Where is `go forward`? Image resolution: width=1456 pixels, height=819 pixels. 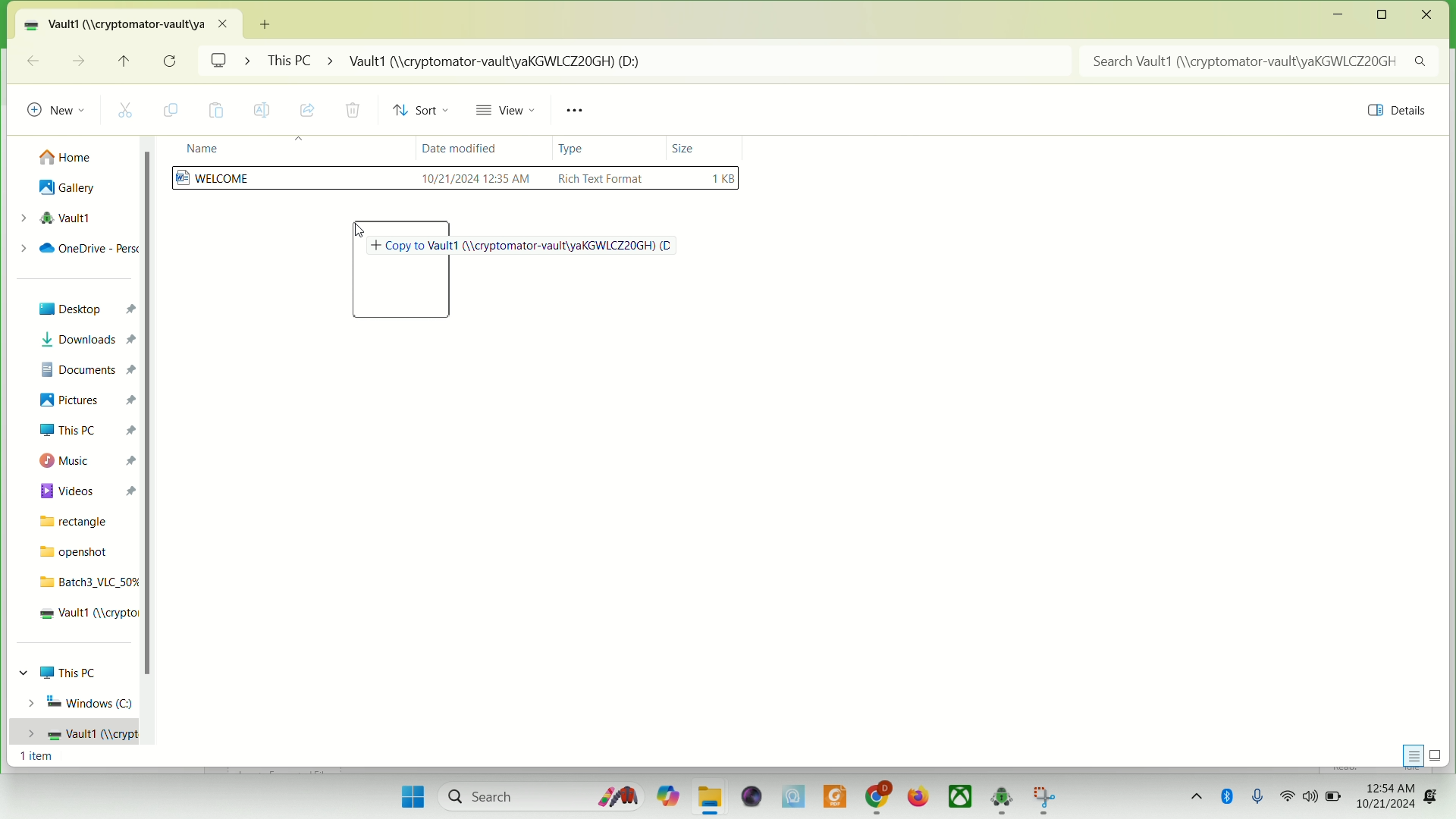
go forward is located at coordinates (77, 60).